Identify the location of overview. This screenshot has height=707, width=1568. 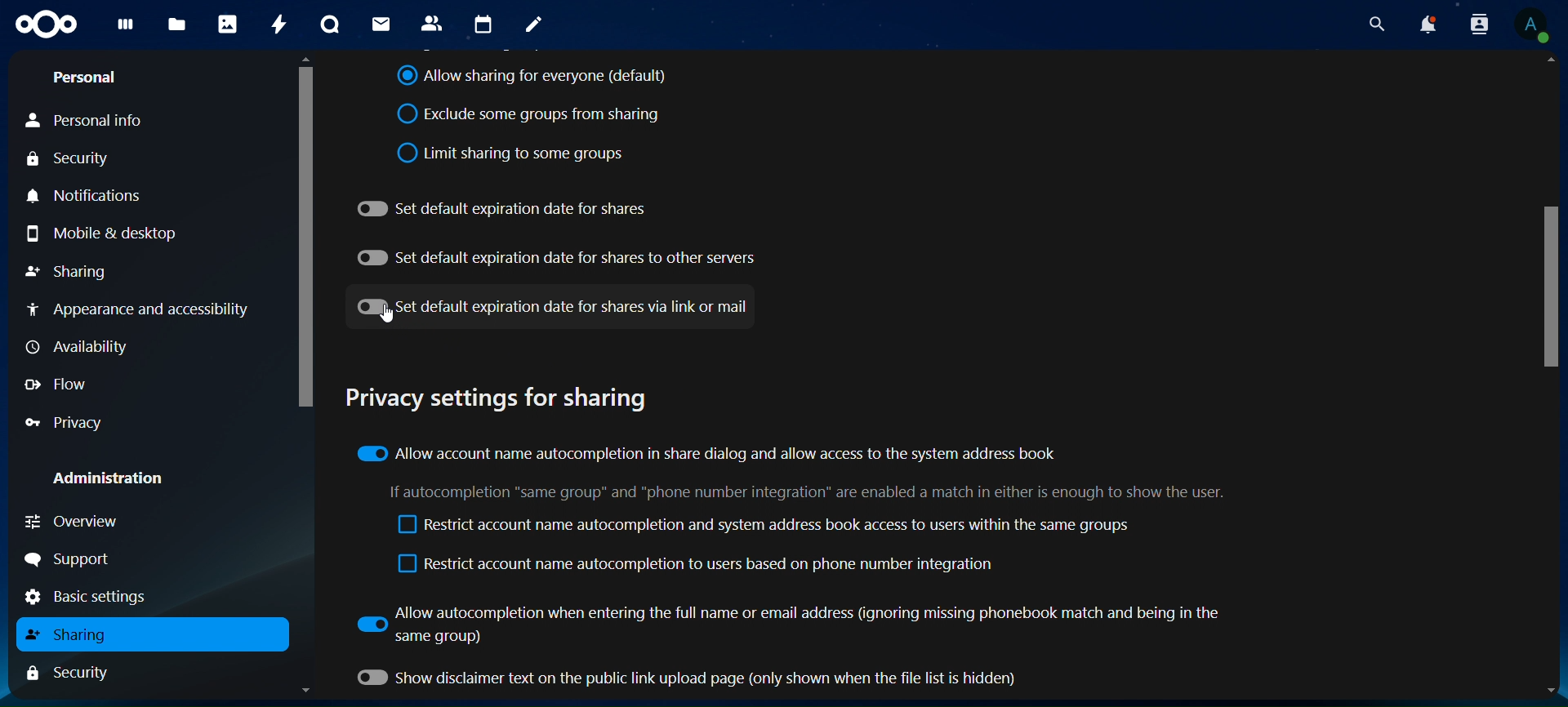
(73, 522).